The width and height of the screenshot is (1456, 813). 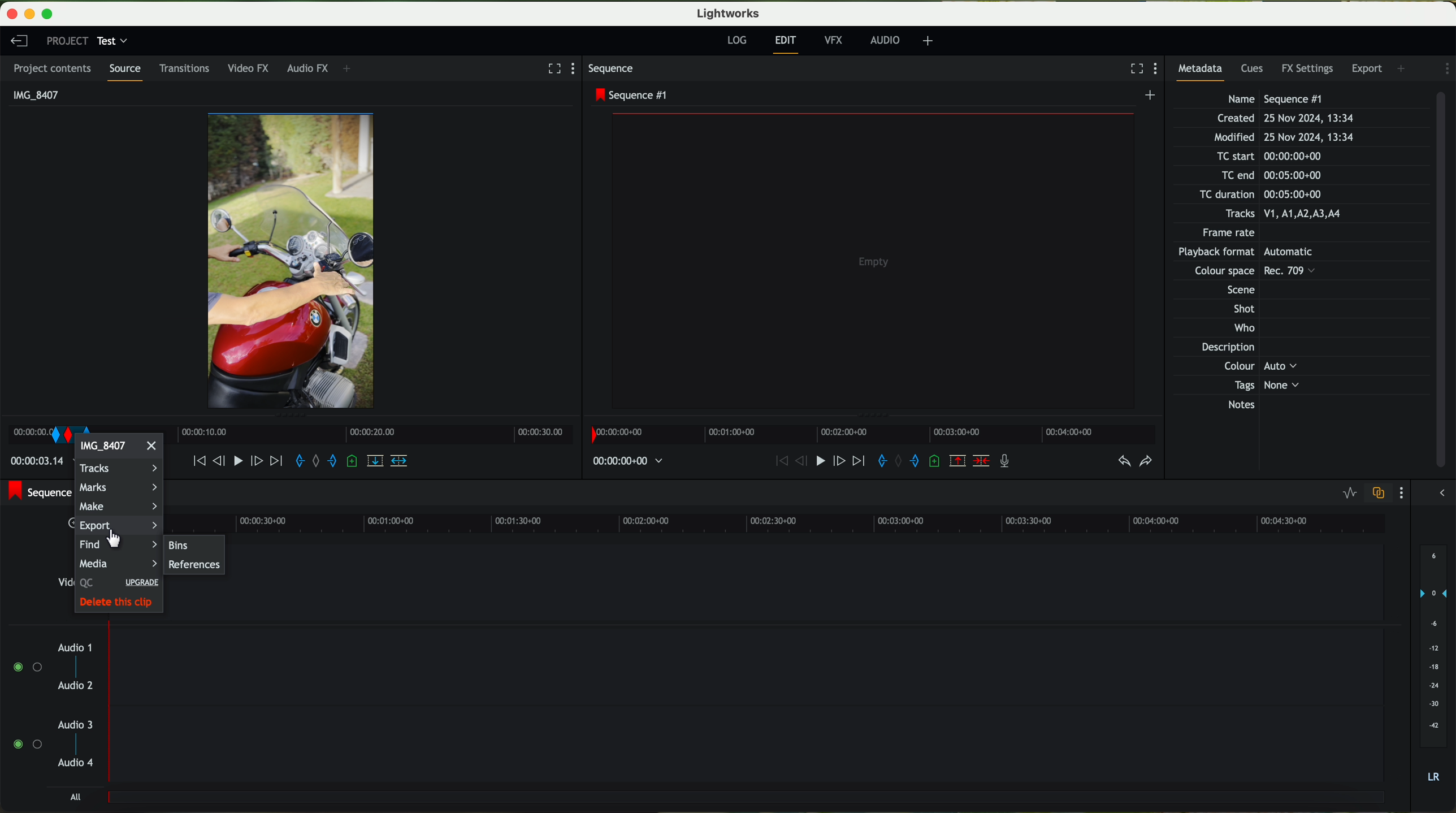 What do you see at coordinates (981, 461) in the screenshot?
I see `delete/cut` at bounding box center [981, 461].